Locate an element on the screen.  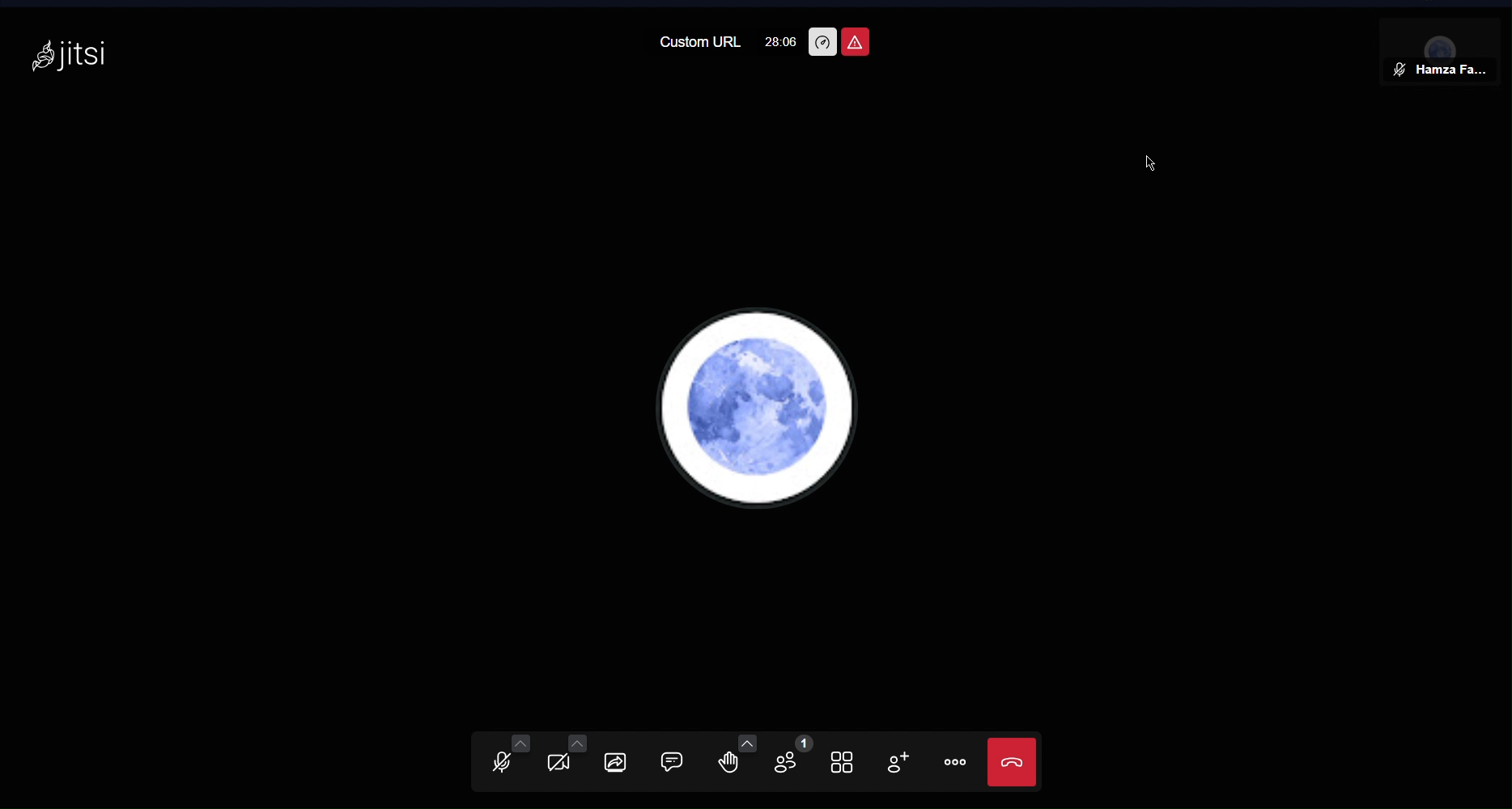
Video is located at coordinates (566, 760).